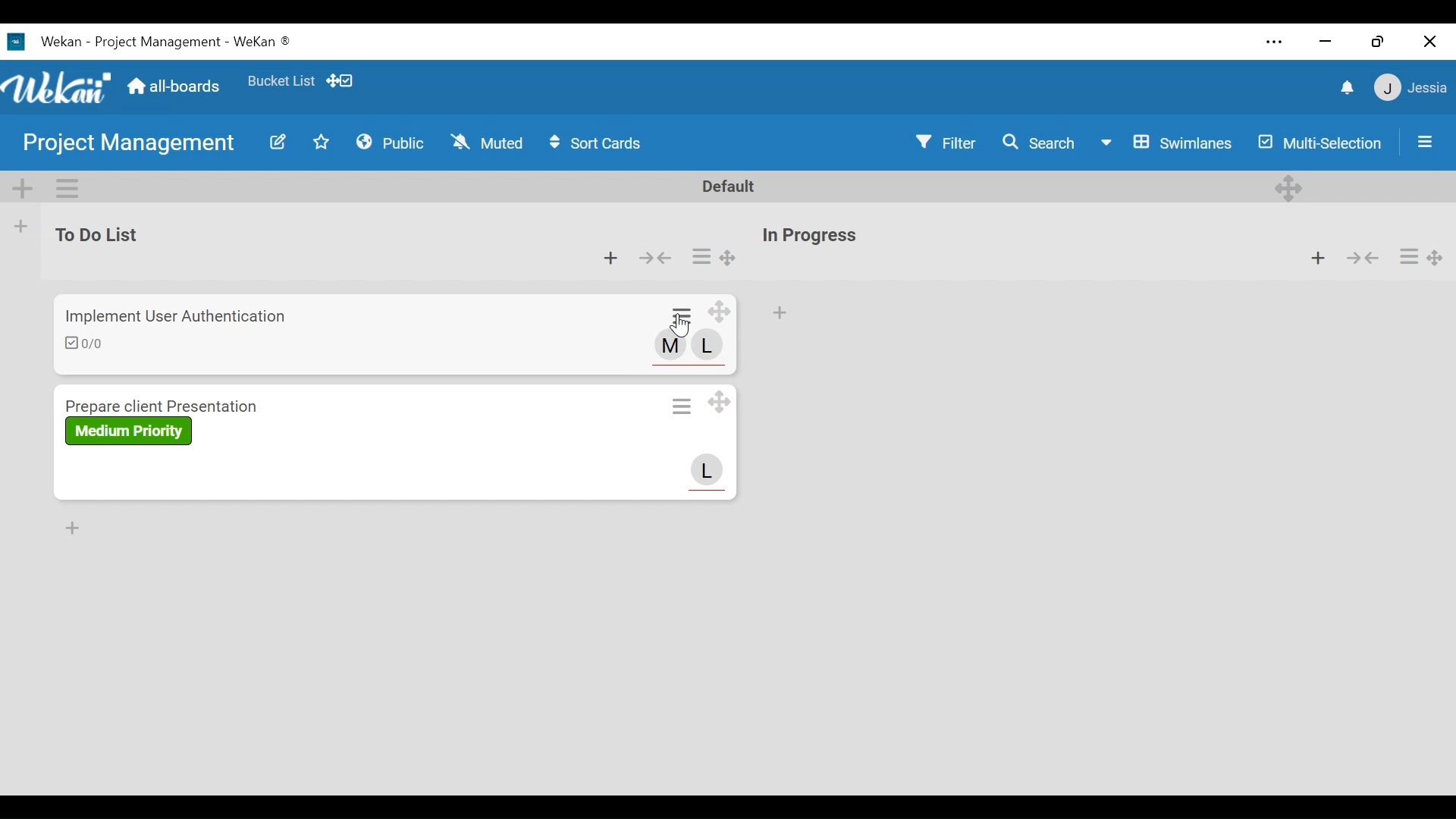 Image resolution: width=1456 pixels, height=819 pixels. Describe the element at coordinates (391, 141) in the screenshot. I see `Public` at that location.